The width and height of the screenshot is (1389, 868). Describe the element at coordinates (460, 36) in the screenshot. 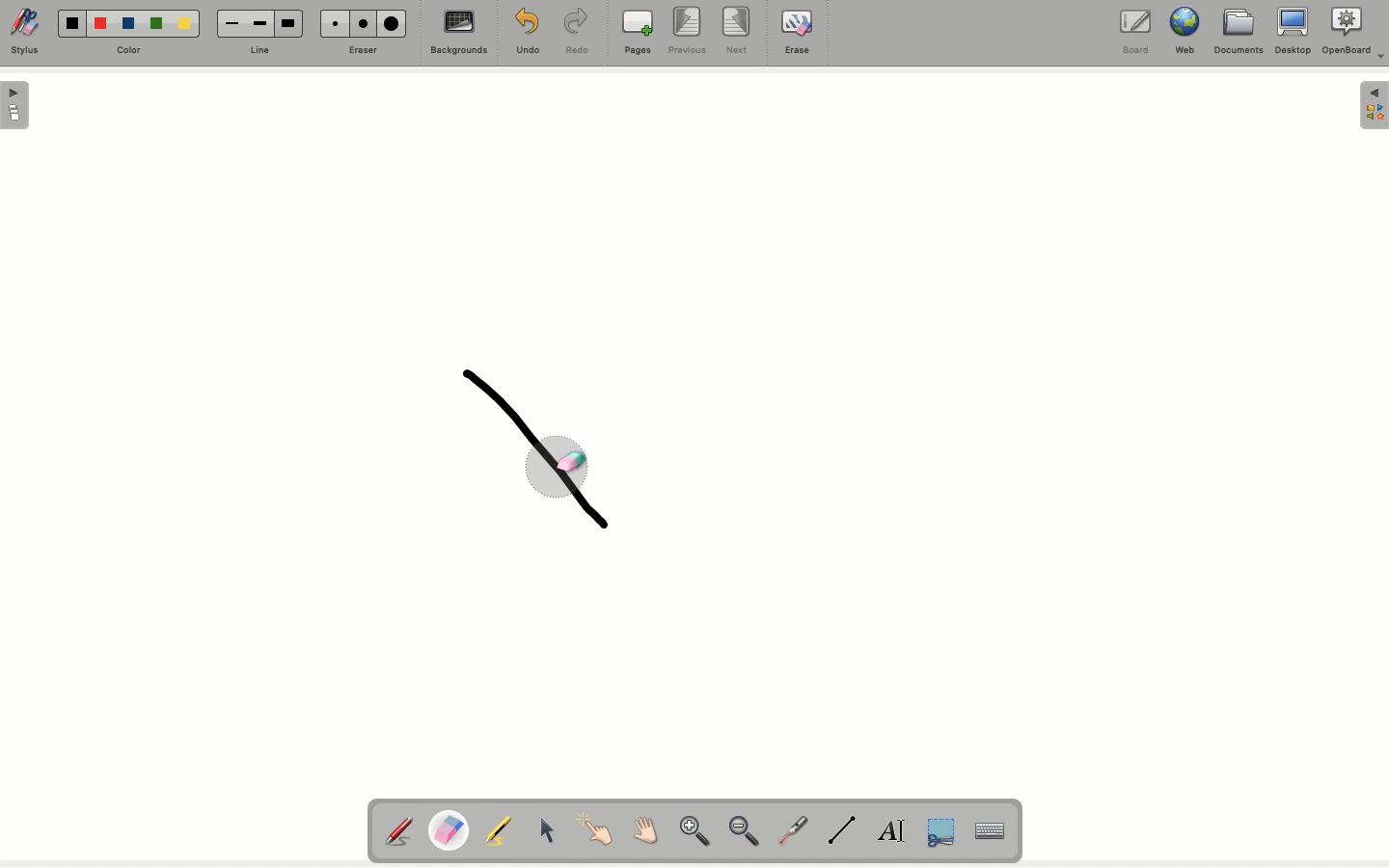

I see `Backgrounds` at that location.